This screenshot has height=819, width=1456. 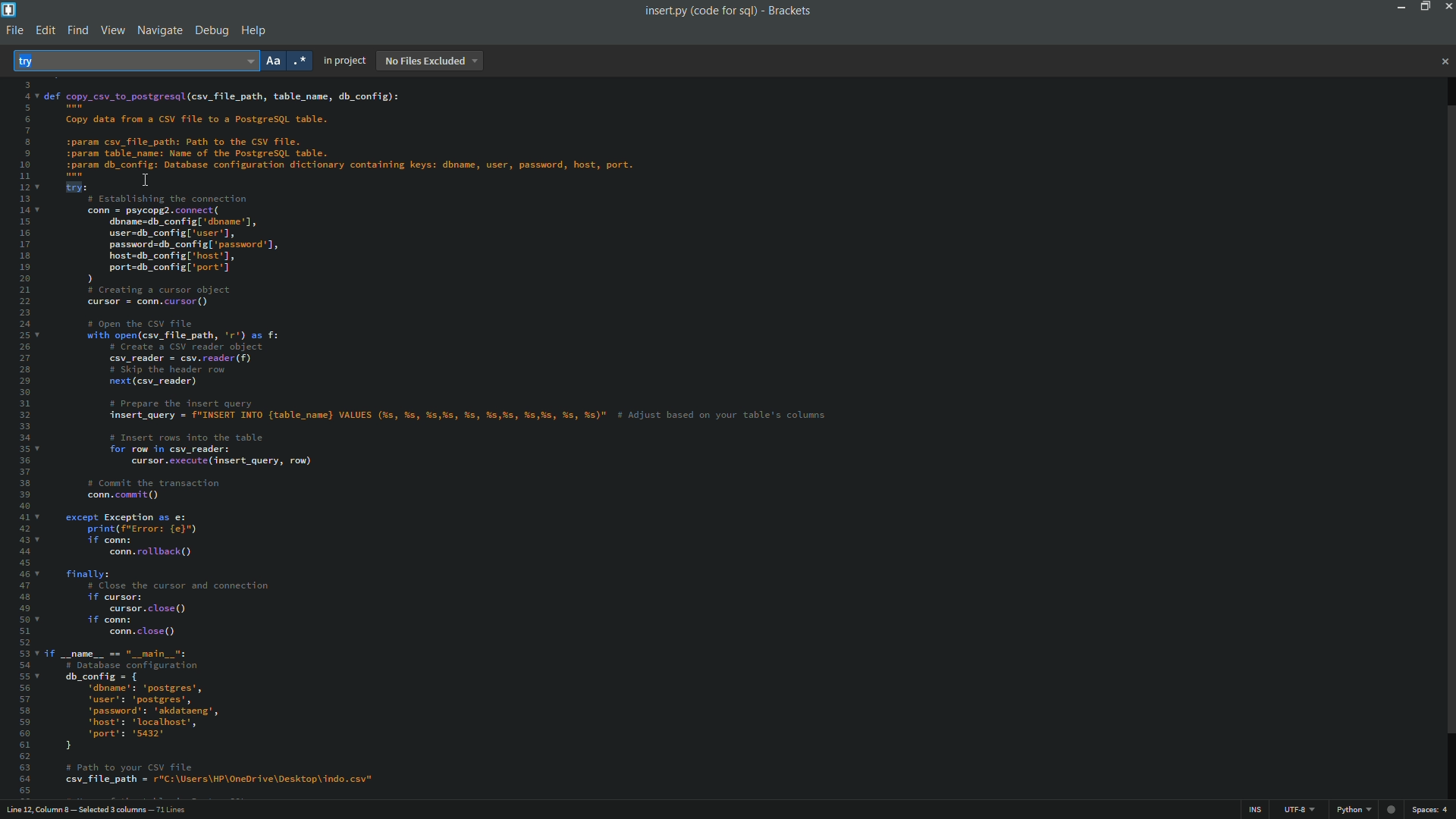 I want to click on web, so click(x=1393, y=807).